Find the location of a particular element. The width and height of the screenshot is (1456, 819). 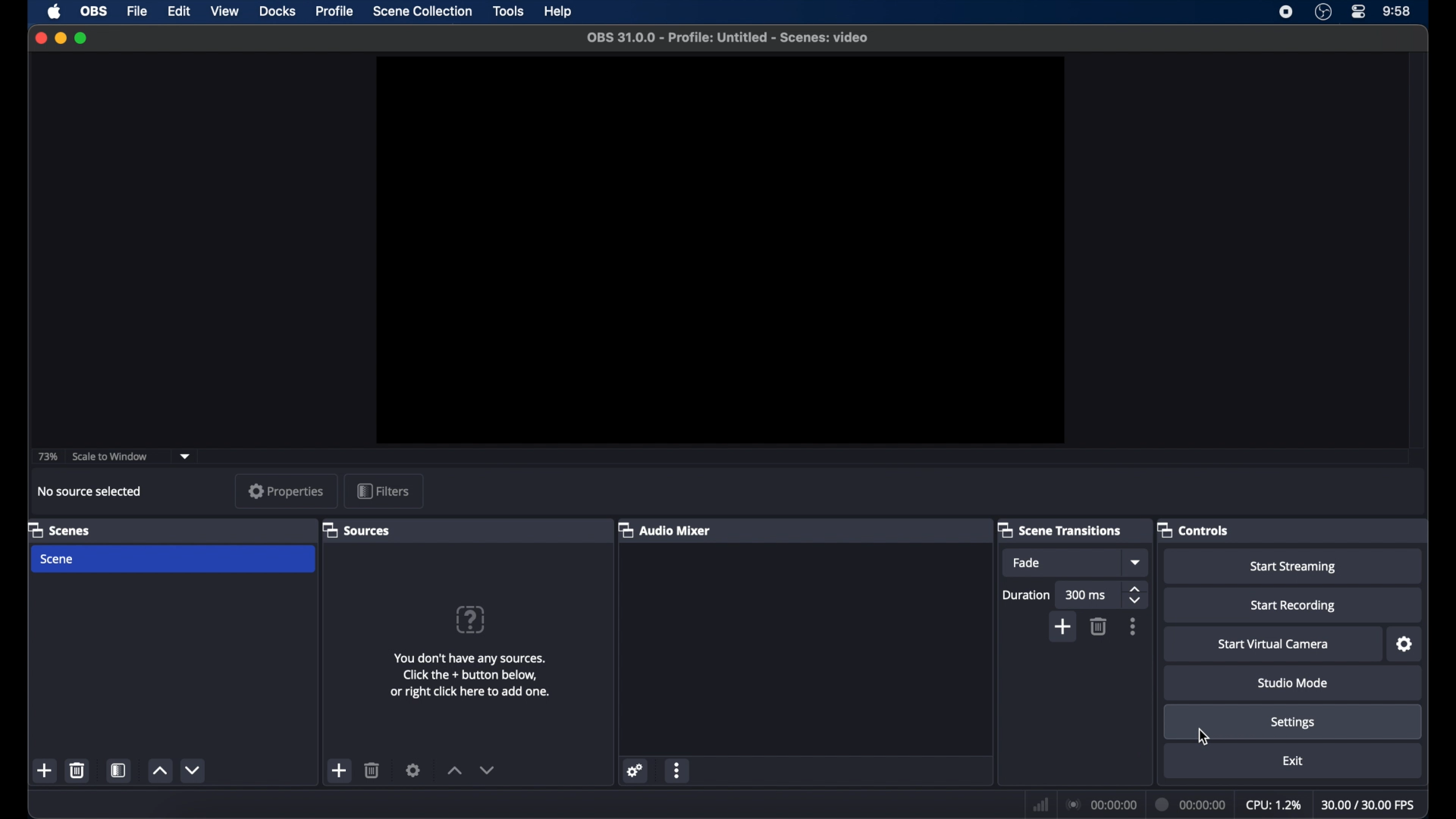

tools is located at coordinates (510, 12).